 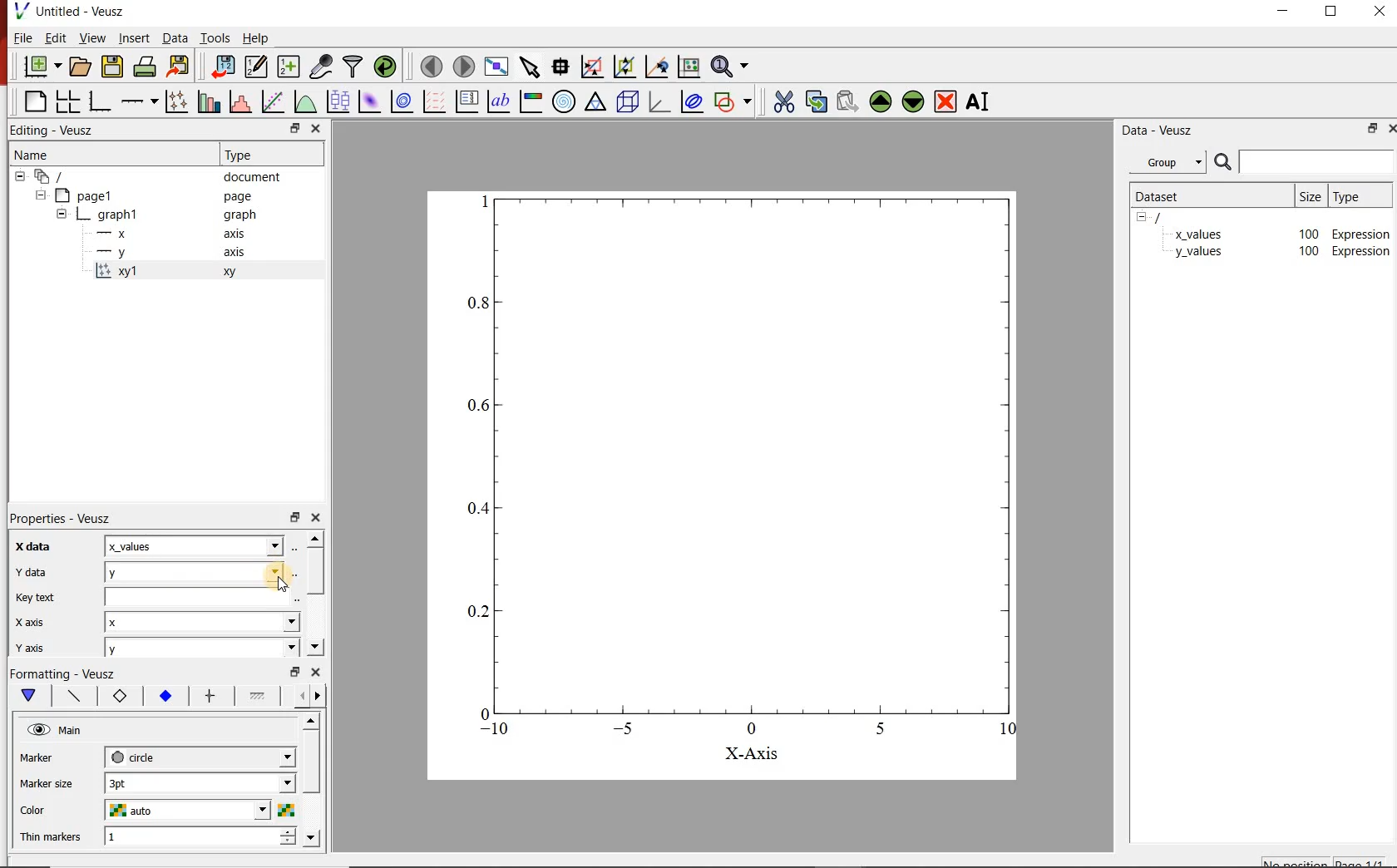 What do you see at coordinates (383, 67) in the screenshot?
I see `reload linked datasets` at bounding box center [383, 67].